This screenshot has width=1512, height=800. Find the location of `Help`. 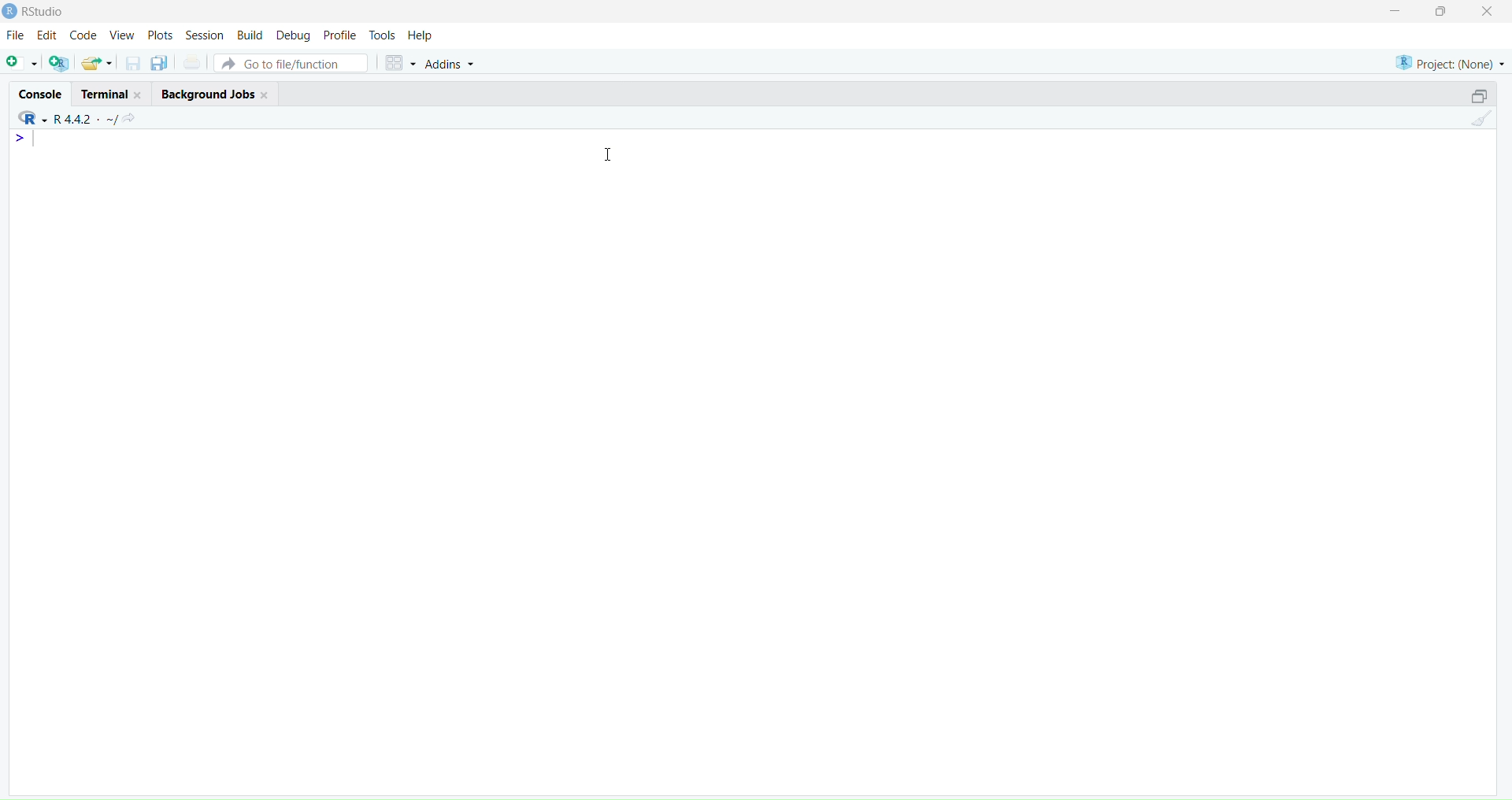

Help is located at coordinates (423, 36).